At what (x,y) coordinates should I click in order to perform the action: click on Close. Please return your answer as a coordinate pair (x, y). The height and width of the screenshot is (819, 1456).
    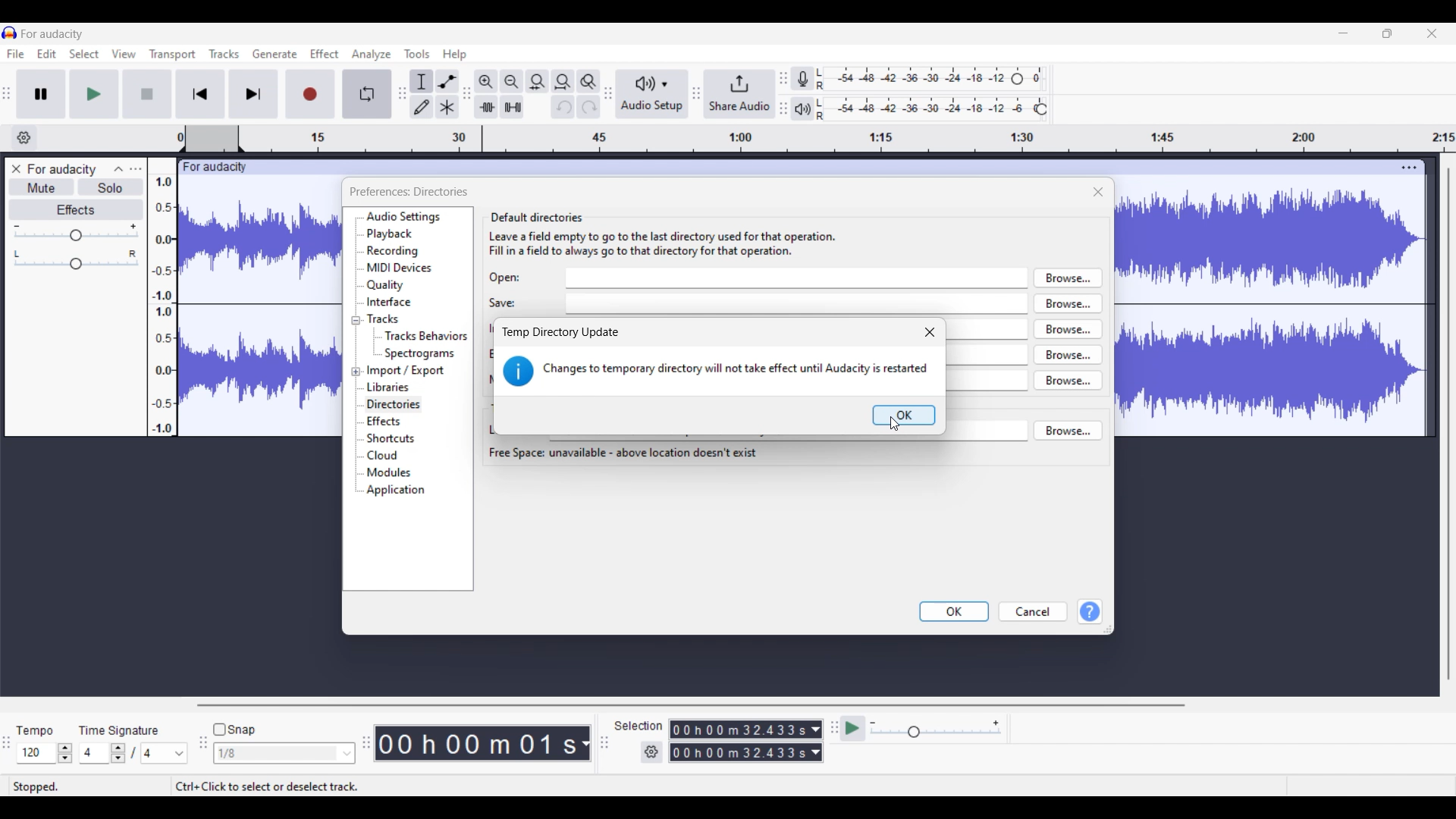
    Looking at the image, I should click on (930, 331).